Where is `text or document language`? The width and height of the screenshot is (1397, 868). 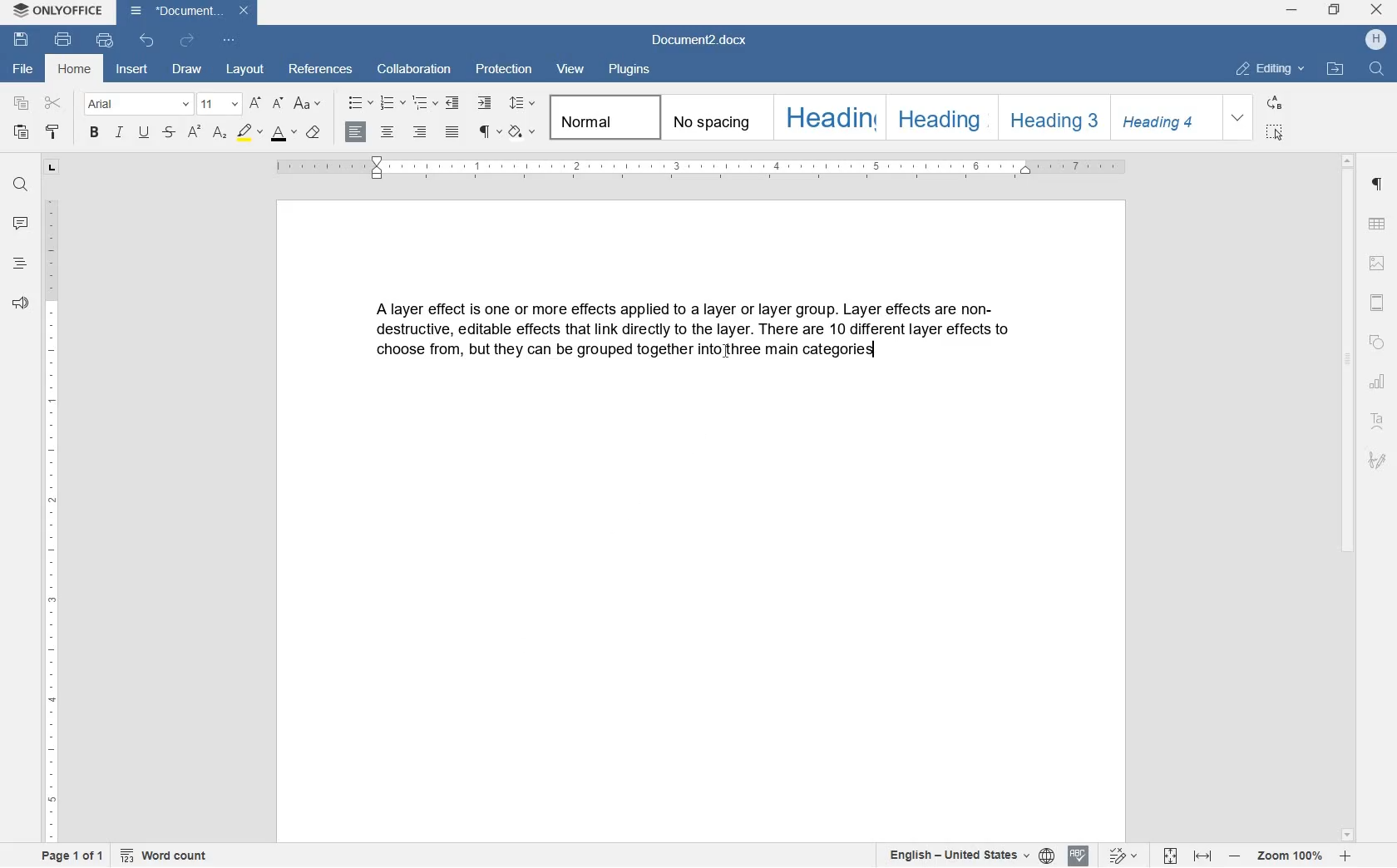 text or document language is located at coordinates (961, 856).